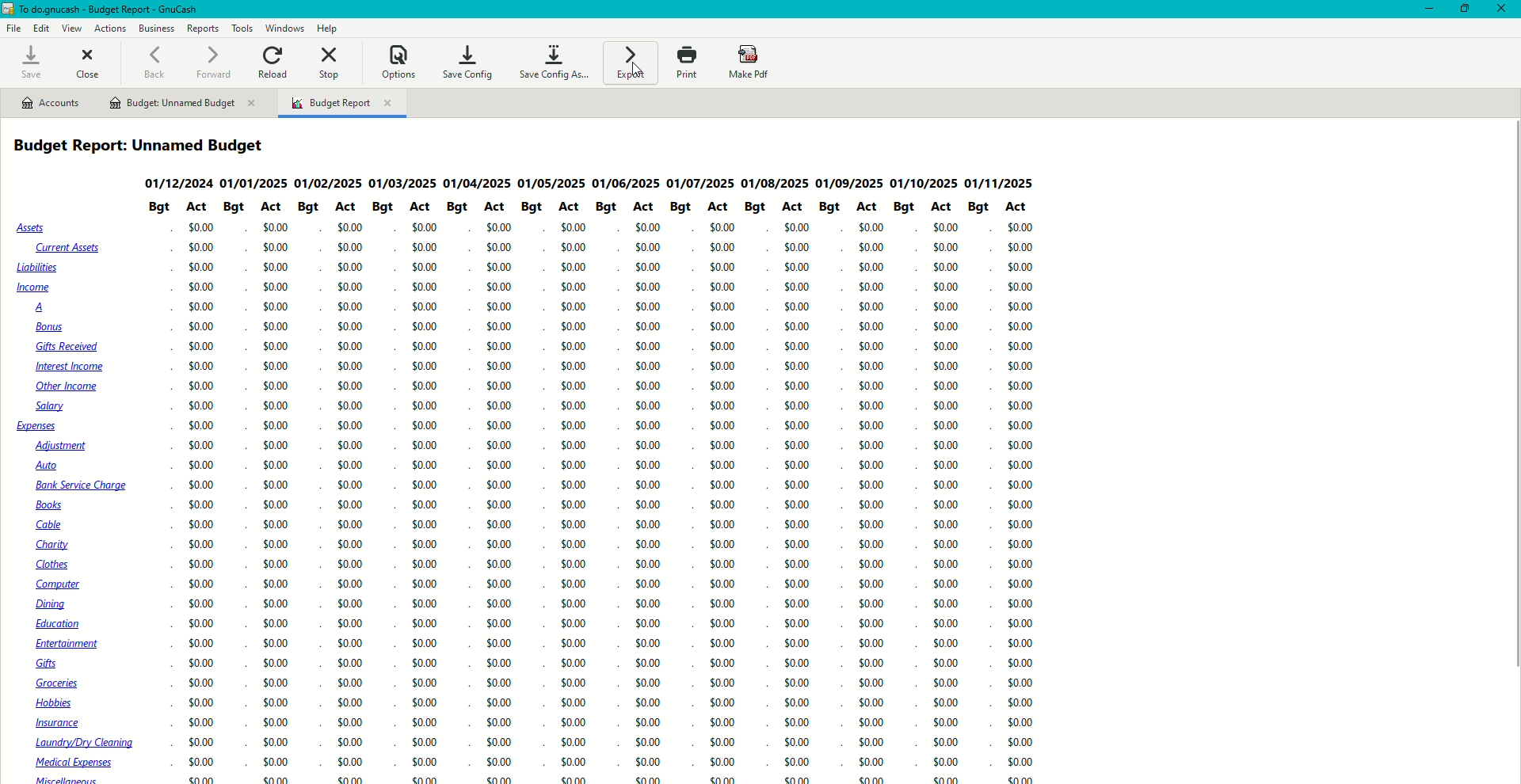 This screenshot has width=1521, height=784. Describe the element at coordinates (276, 684) in the screenshot. I see `$0.00` at that location.